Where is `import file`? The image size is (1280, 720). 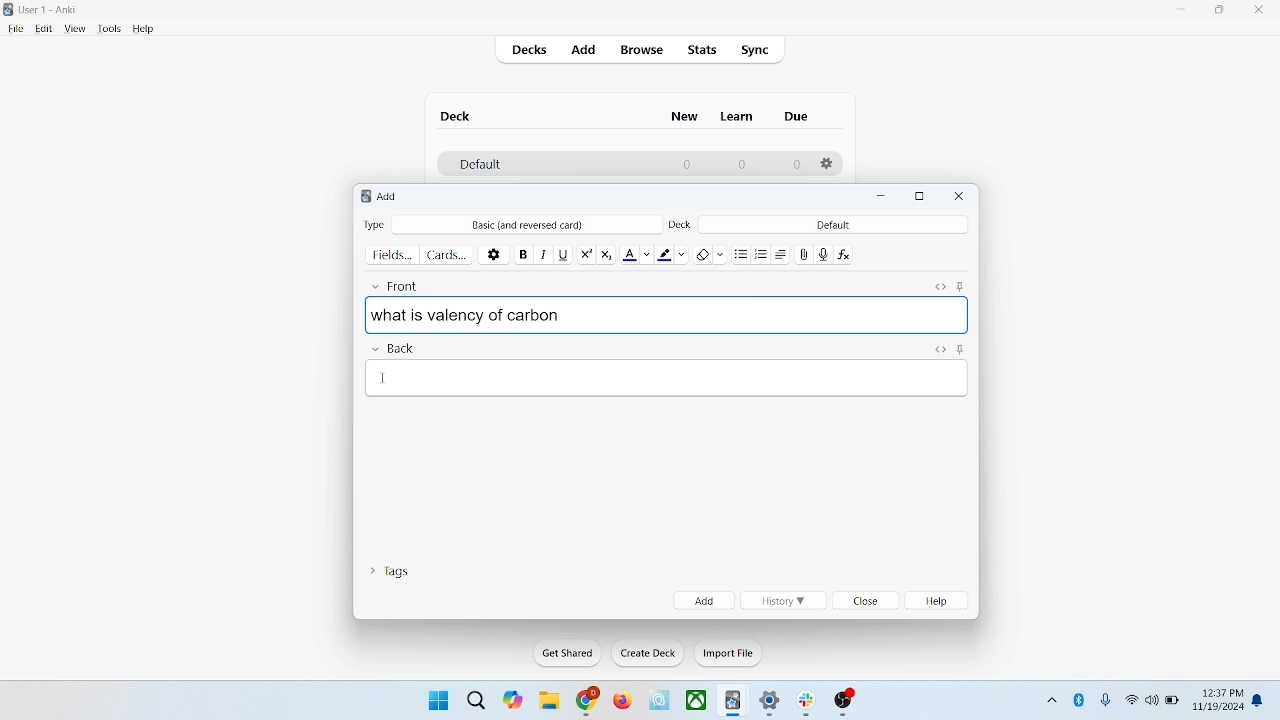
import file is located at coordinates (729, 653).